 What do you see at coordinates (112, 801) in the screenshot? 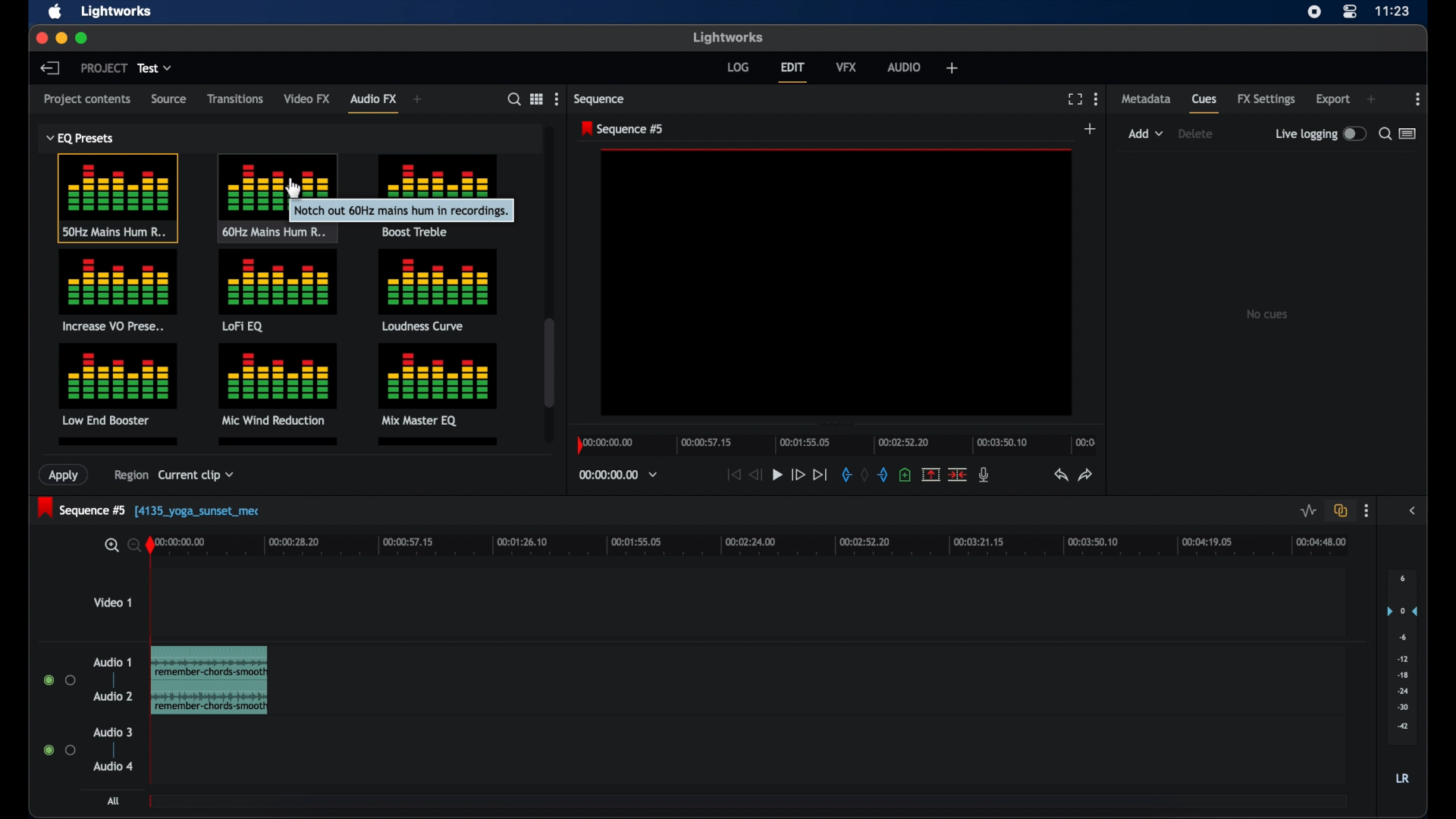
I see `all` at bounding box center [112, 801].